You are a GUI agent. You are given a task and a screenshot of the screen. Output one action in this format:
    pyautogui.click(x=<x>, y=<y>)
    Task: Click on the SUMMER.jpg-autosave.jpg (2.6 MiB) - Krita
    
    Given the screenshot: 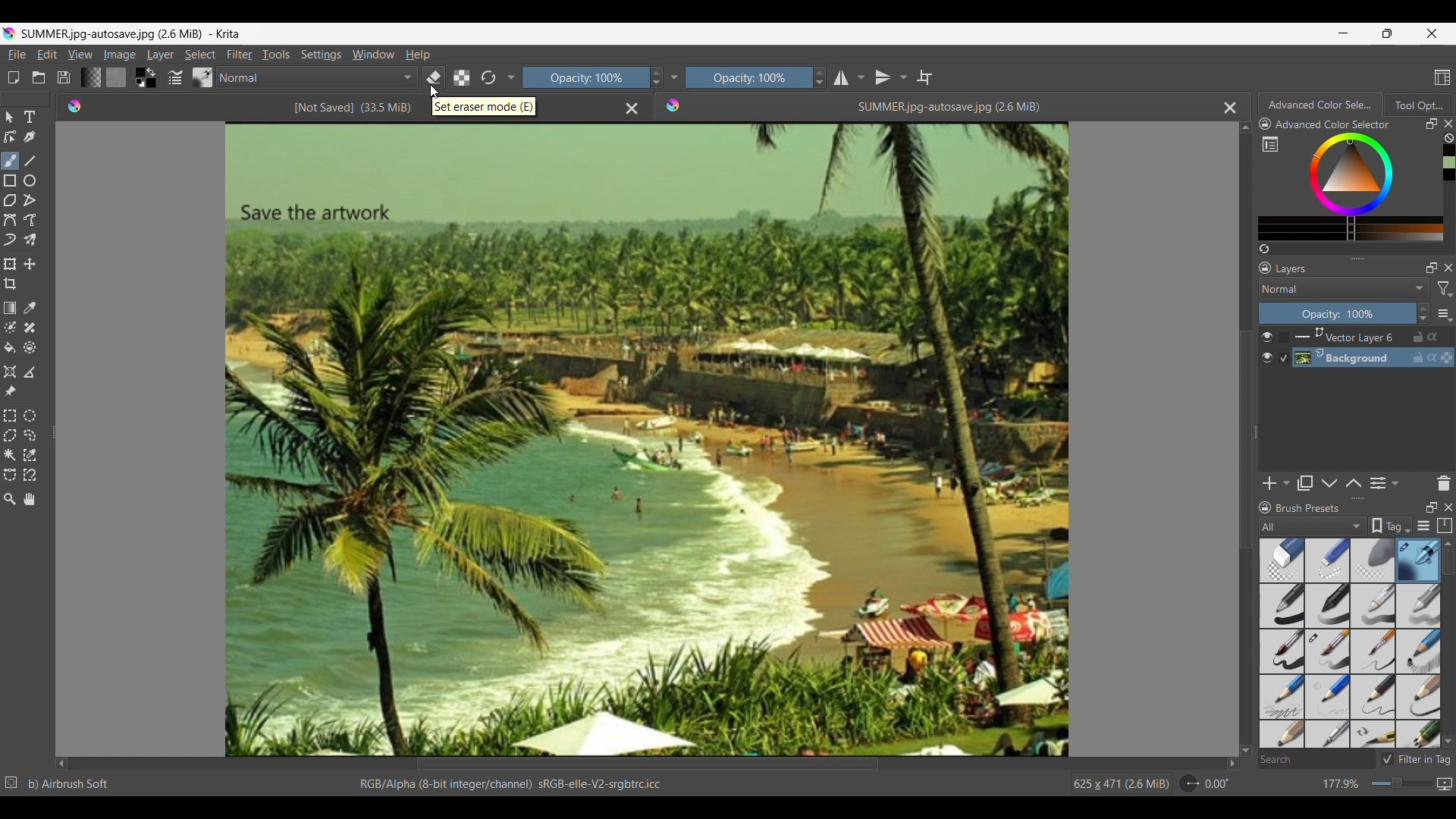 What is the action you would take?
    pyautogui.click(x=135, y=33)
    